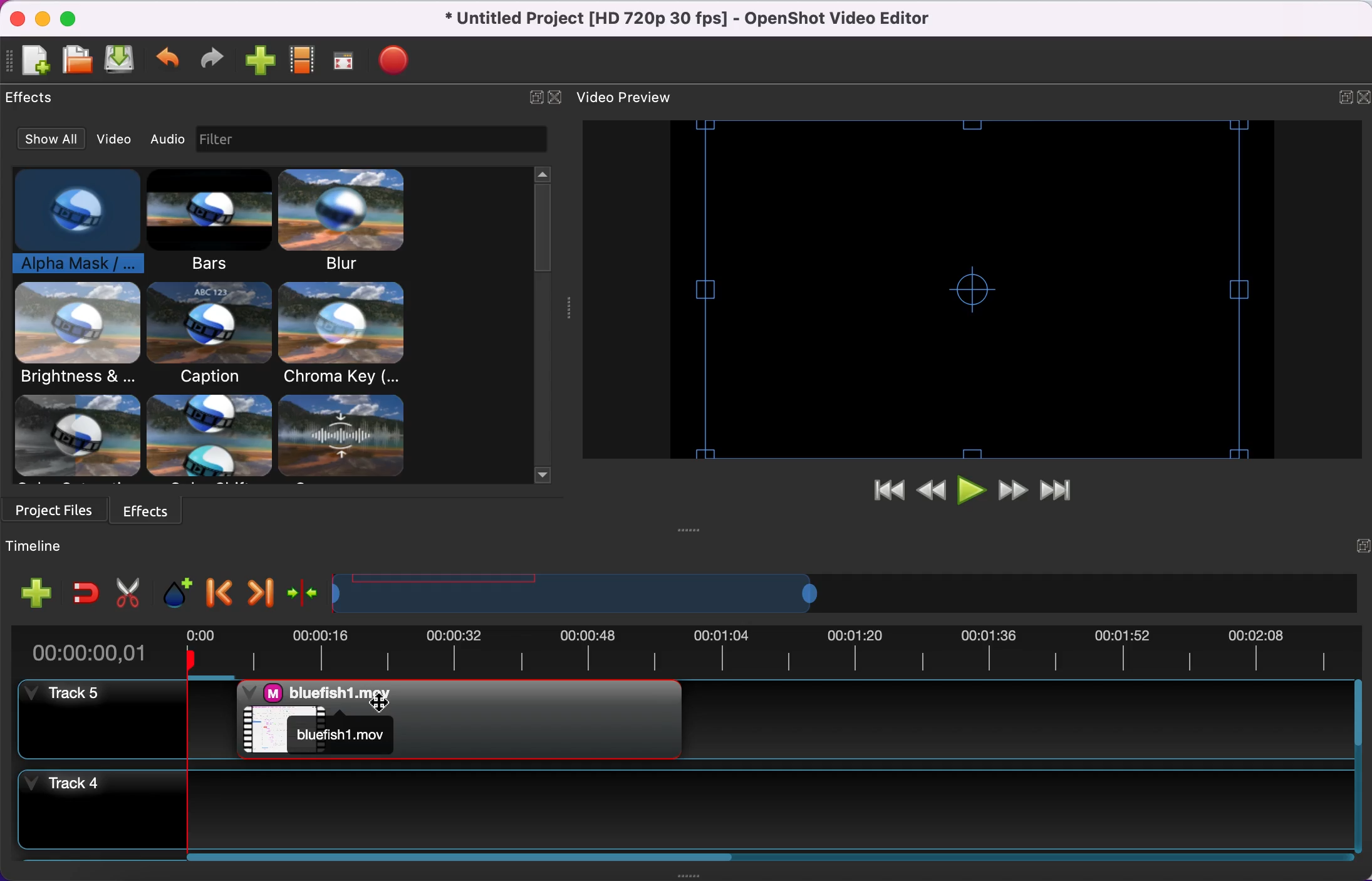 The width and height of the screenshot is (1372, 881). What do you see at coordinates (221, 439) in the screenshot?
I see `effects` at bounding box center [221, 439].